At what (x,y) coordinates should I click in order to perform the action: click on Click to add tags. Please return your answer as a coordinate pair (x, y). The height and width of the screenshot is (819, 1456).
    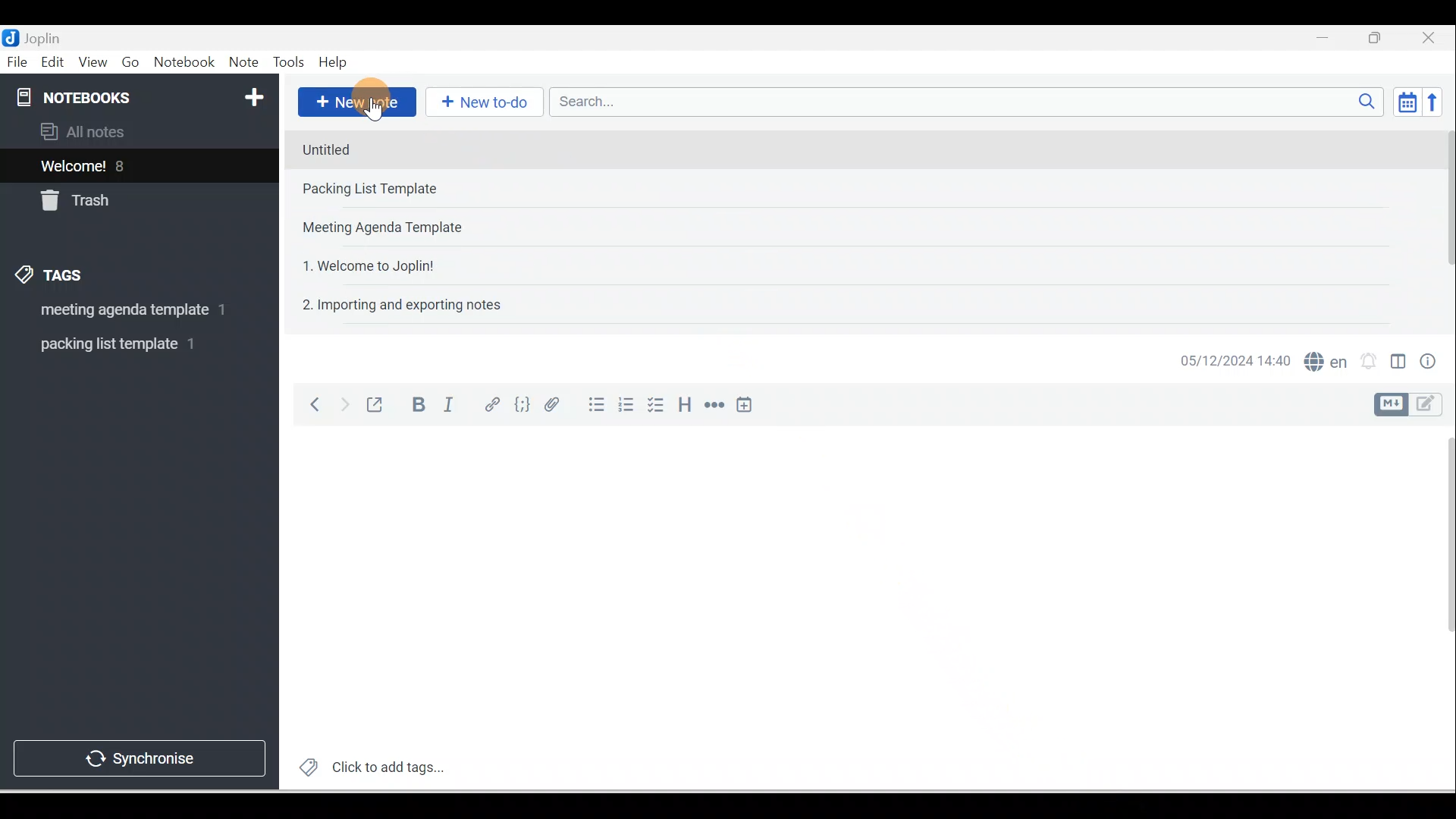
    Looking at the image, I should click on (366, 765).